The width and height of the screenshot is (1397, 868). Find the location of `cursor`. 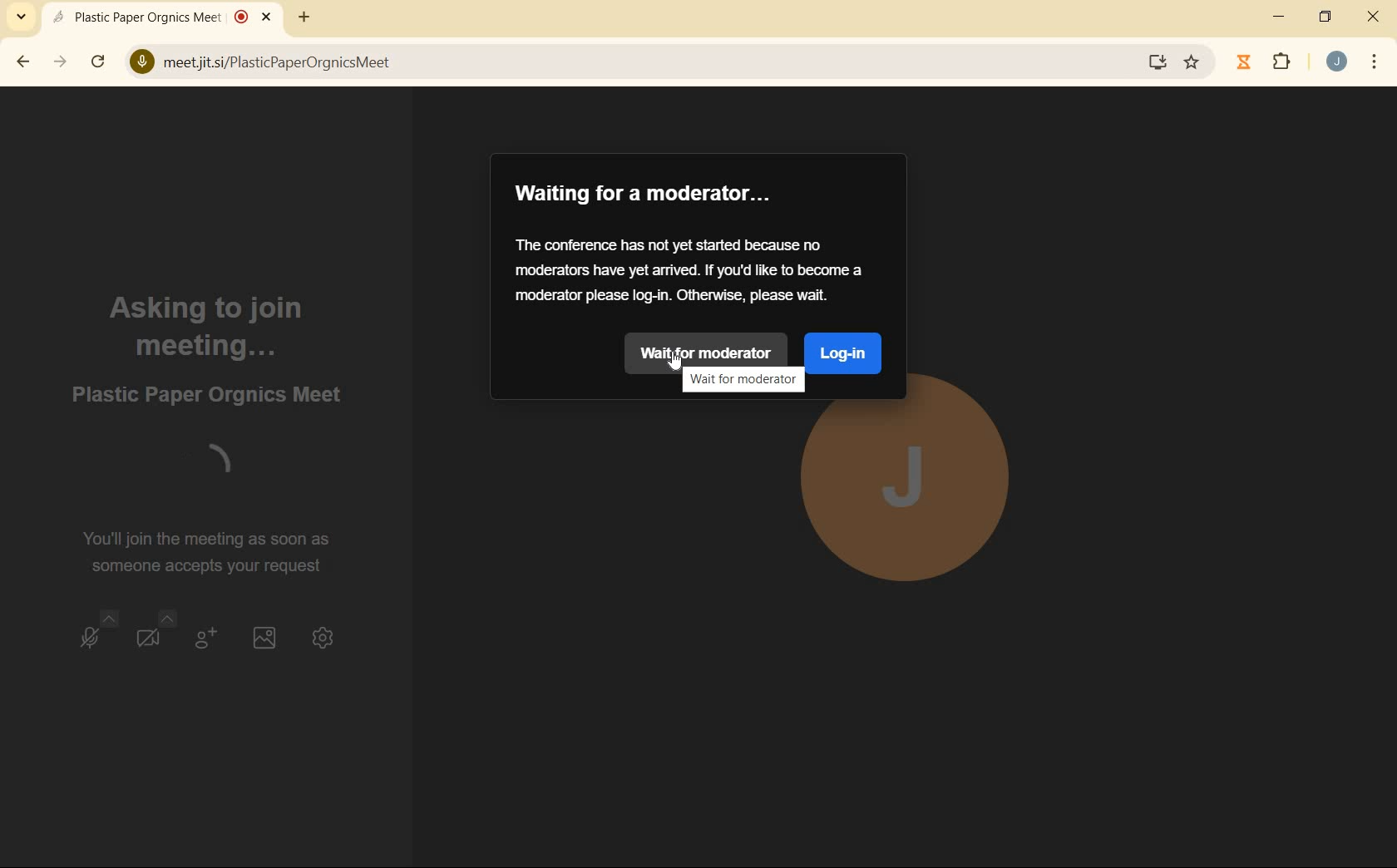

cursor is located at coordinates (677, 362).